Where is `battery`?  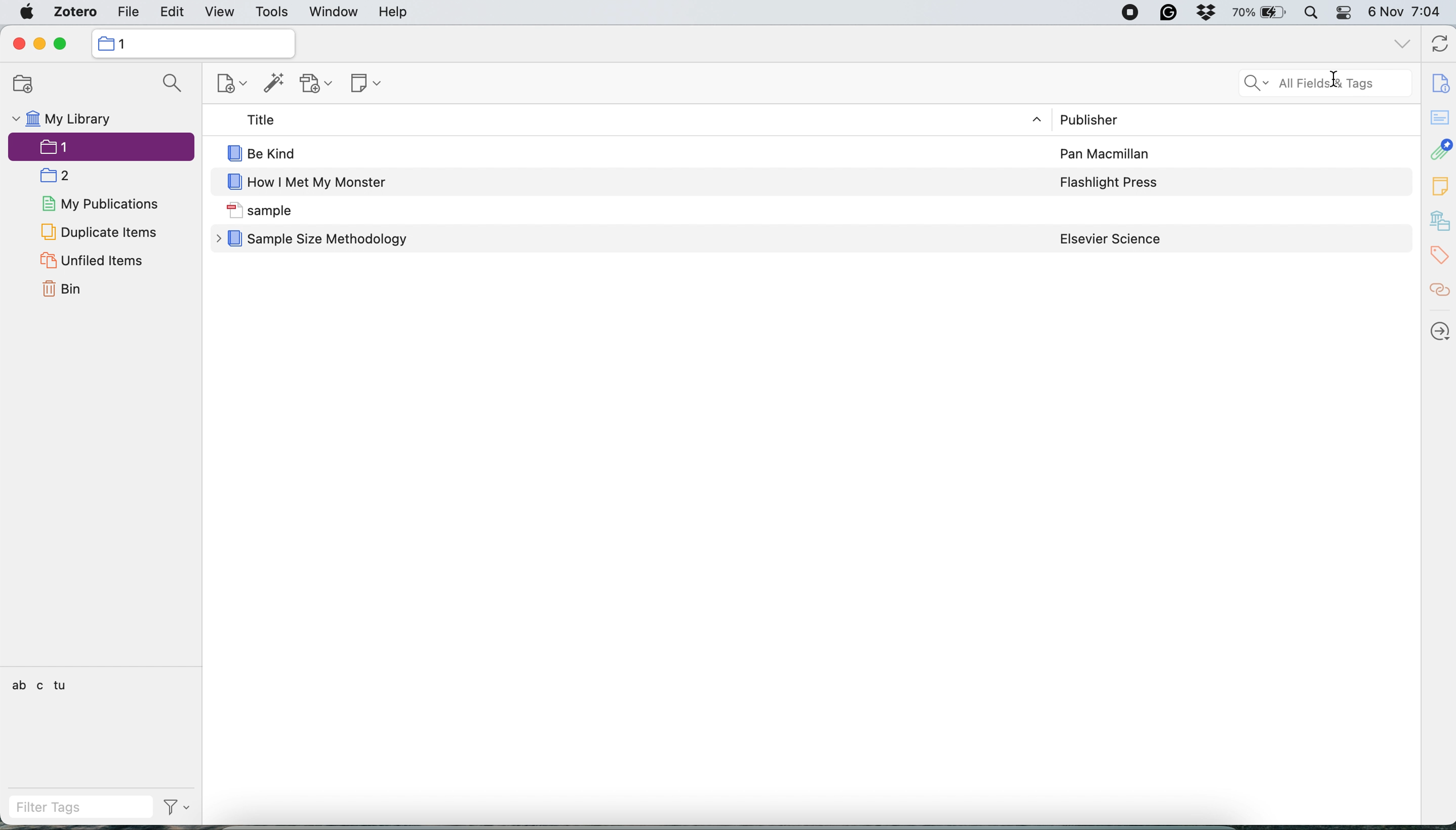 battery is located at coordinates (1263, 13).